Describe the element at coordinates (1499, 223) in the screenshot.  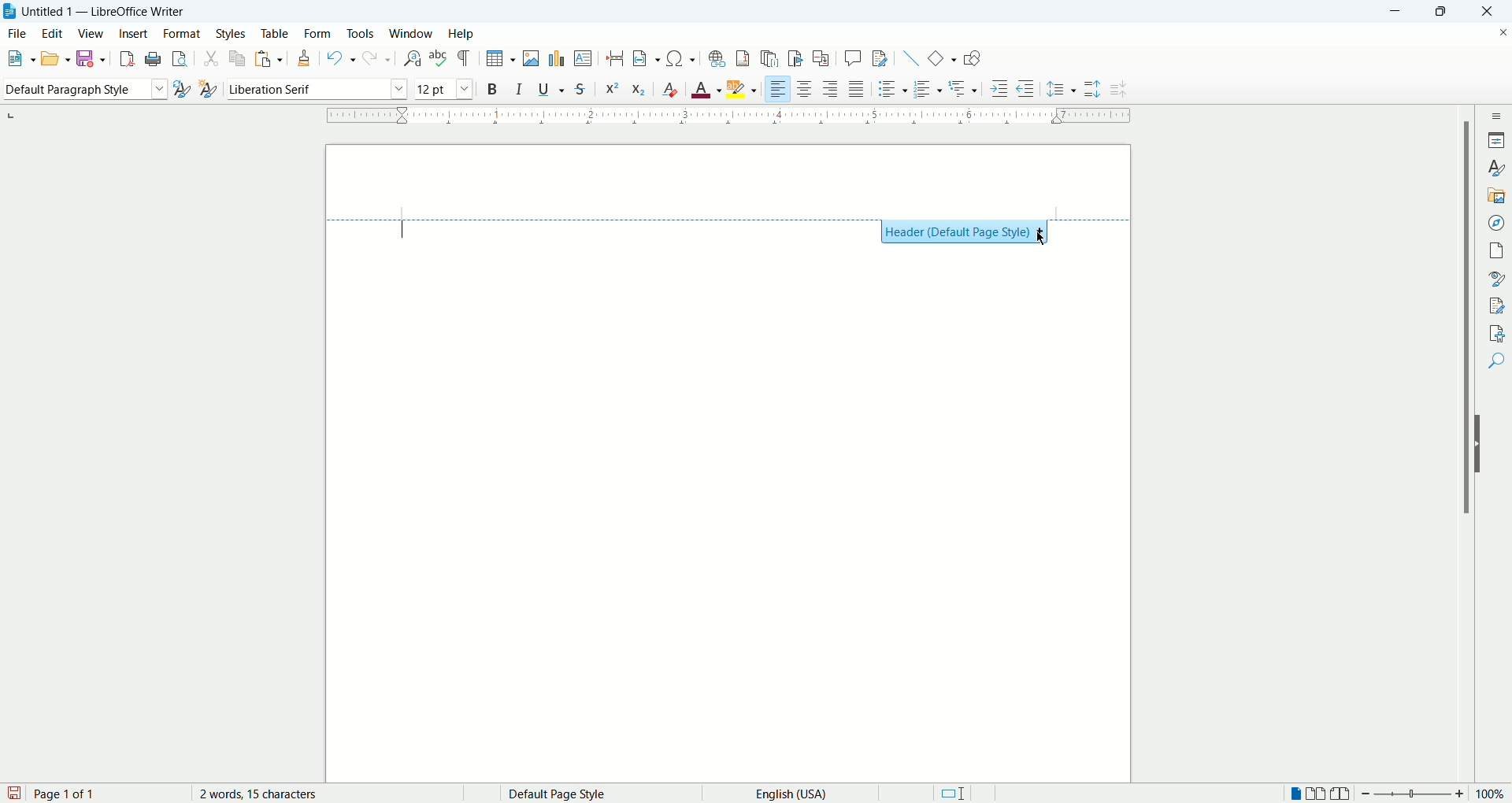
I see `navigator` at that location.